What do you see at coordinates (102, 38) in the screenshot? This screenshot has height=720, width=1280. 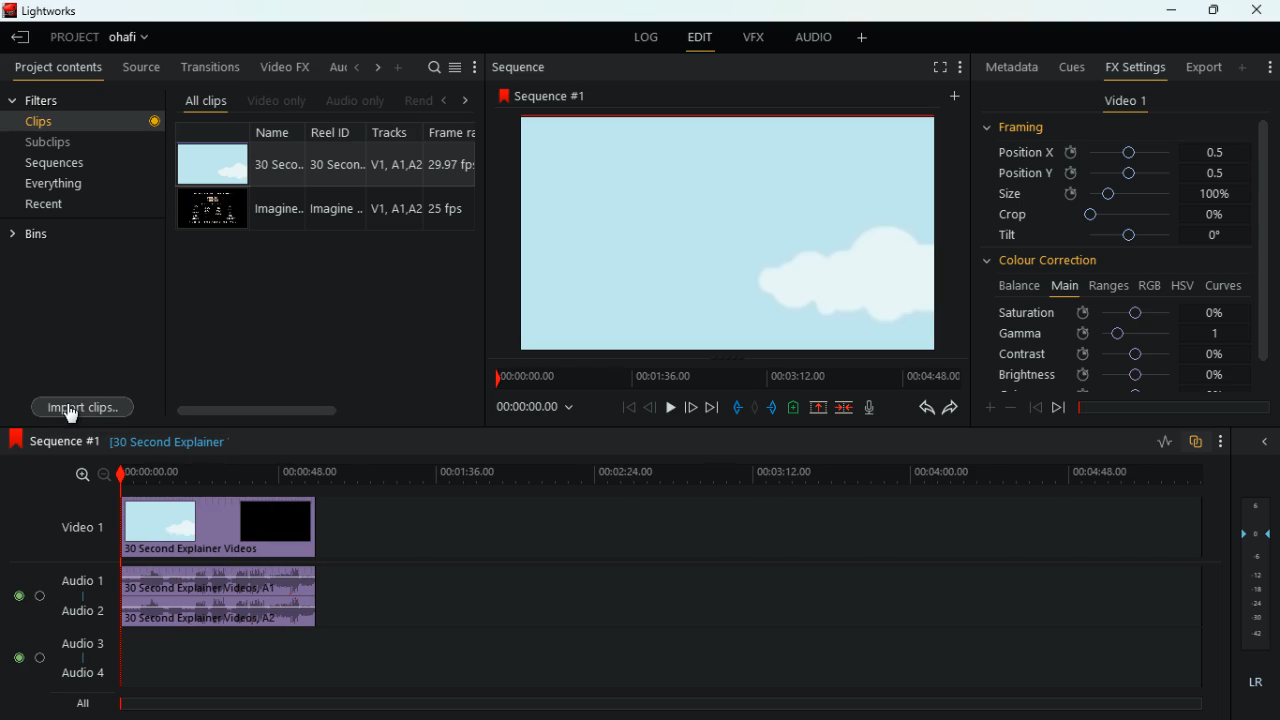 I see `project` at bounding box center [102, 38].